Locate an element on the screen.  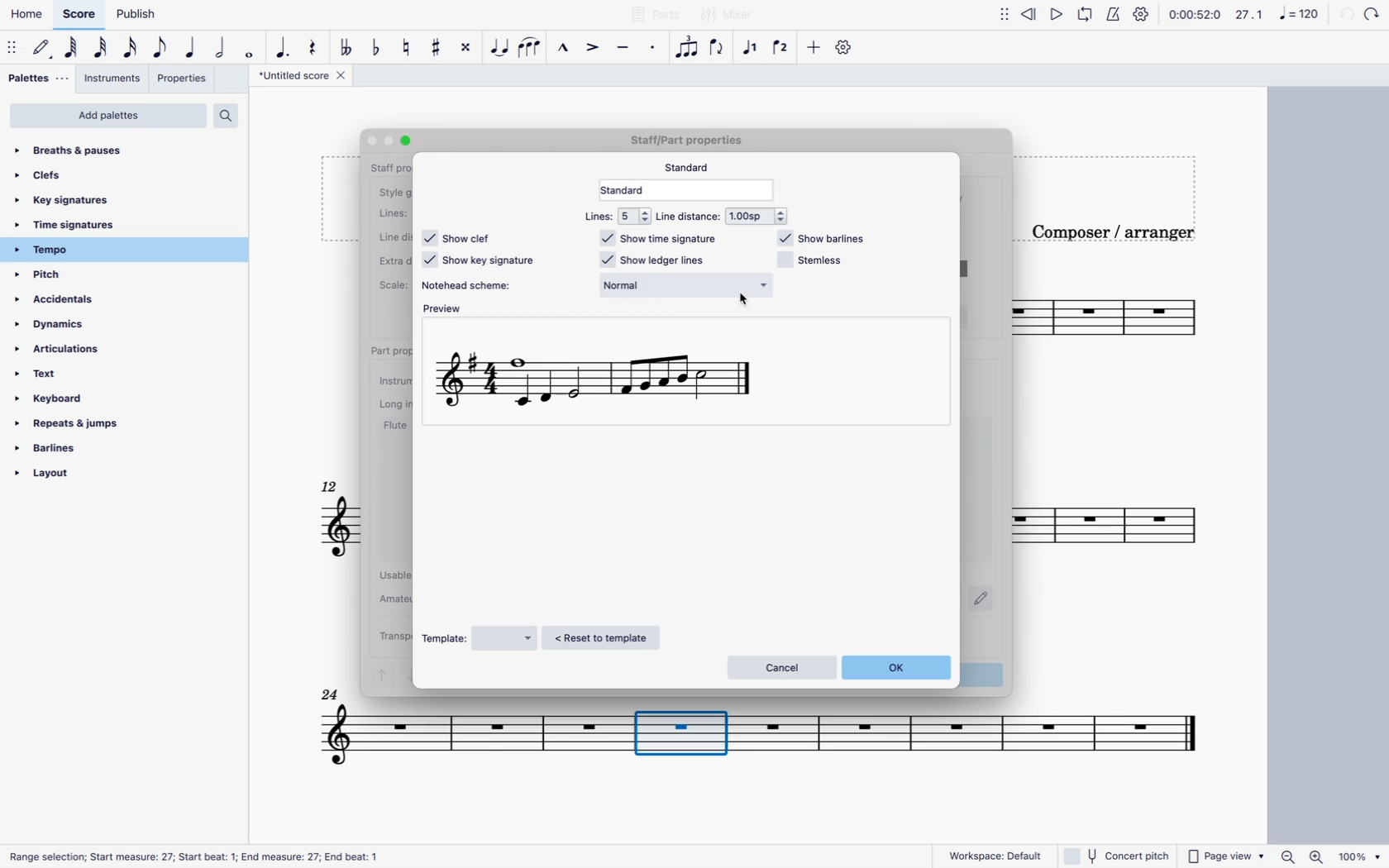
page view is located at coordinates (1225, 855).